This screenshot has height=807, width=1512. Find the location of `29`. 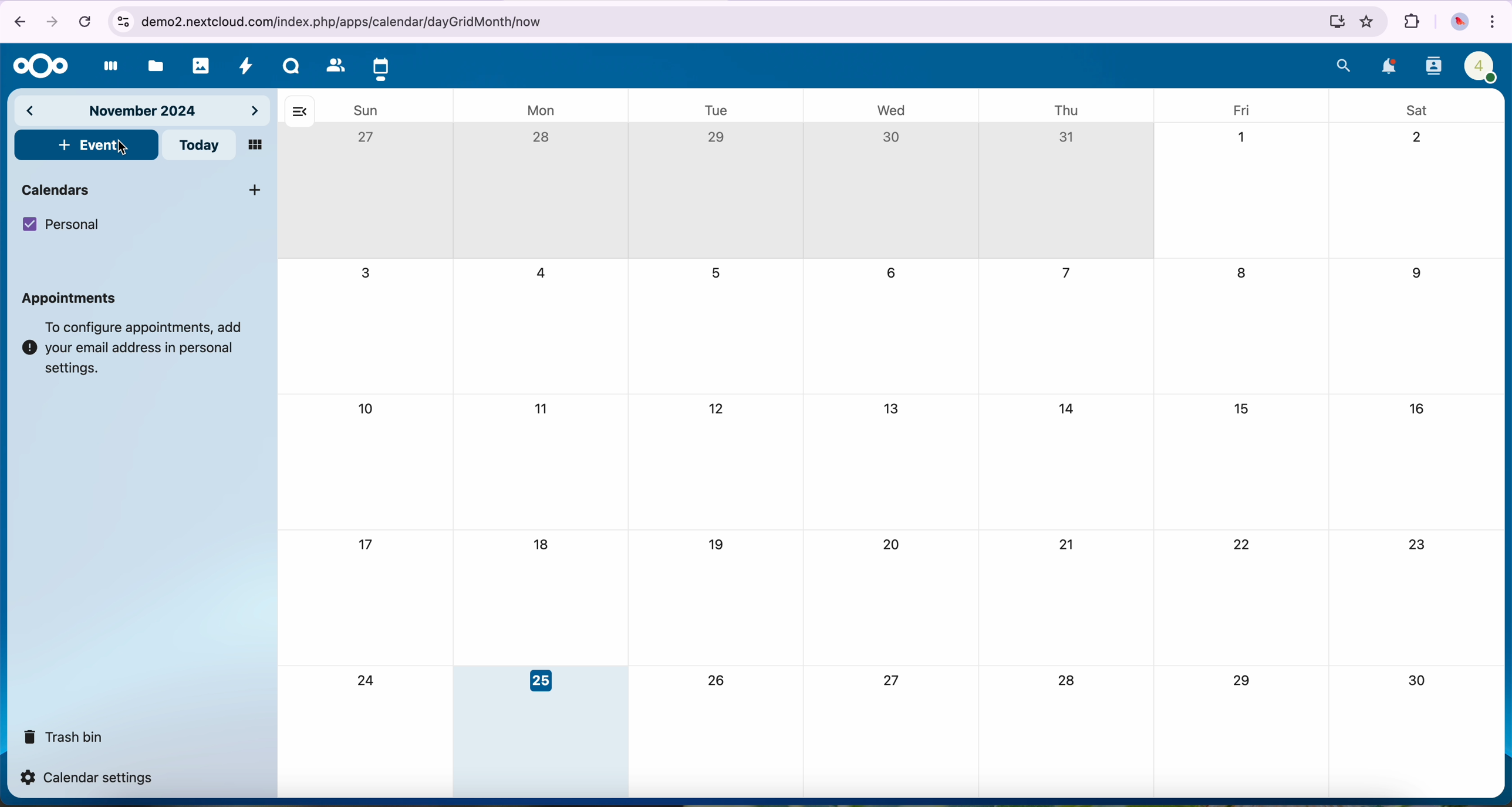

29 is located at coordinates (1240, 681).